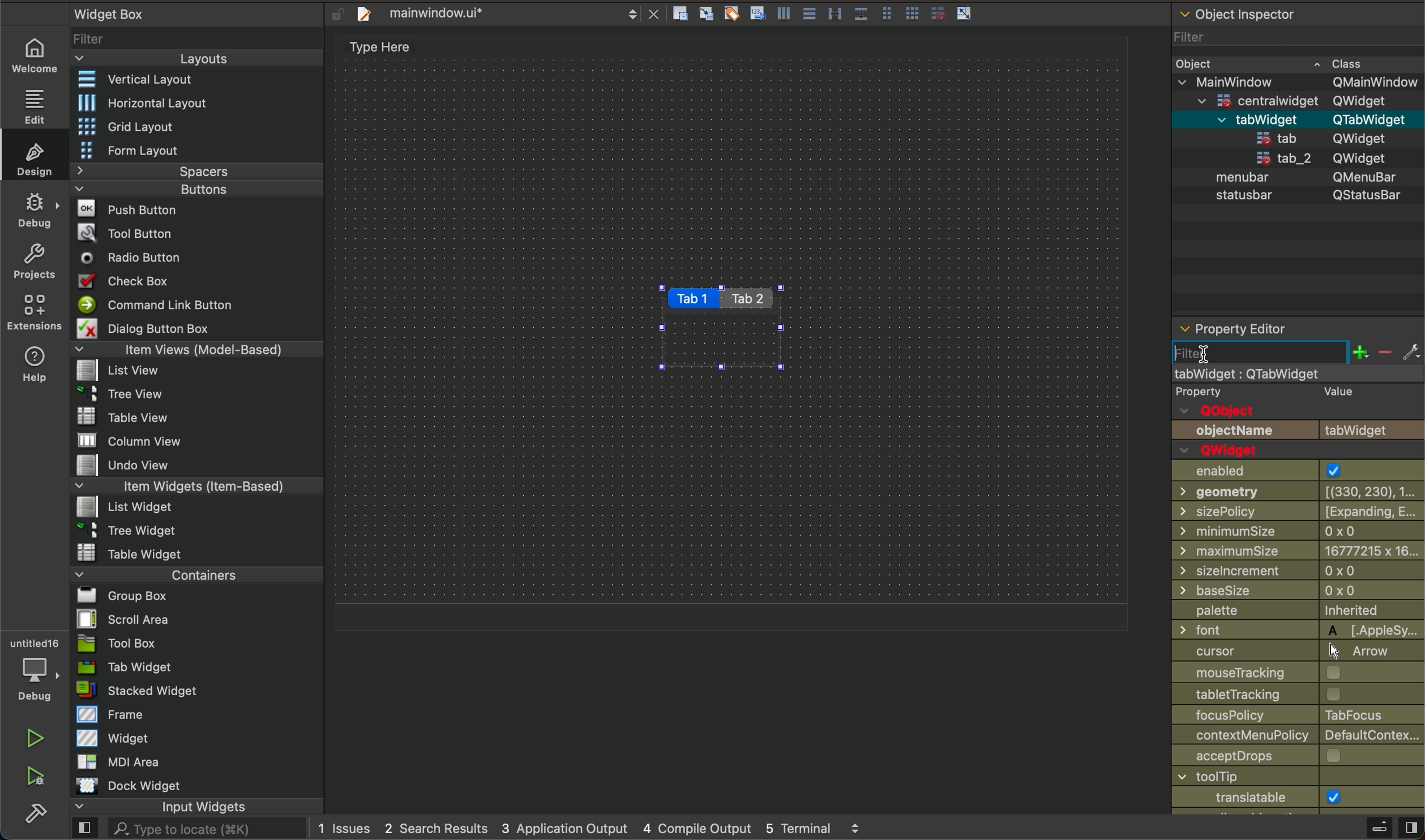  What do you see at coordinates (134, 104) in the screenshot?
I see `Horizontal Layout` at bounding box center [134, 104].